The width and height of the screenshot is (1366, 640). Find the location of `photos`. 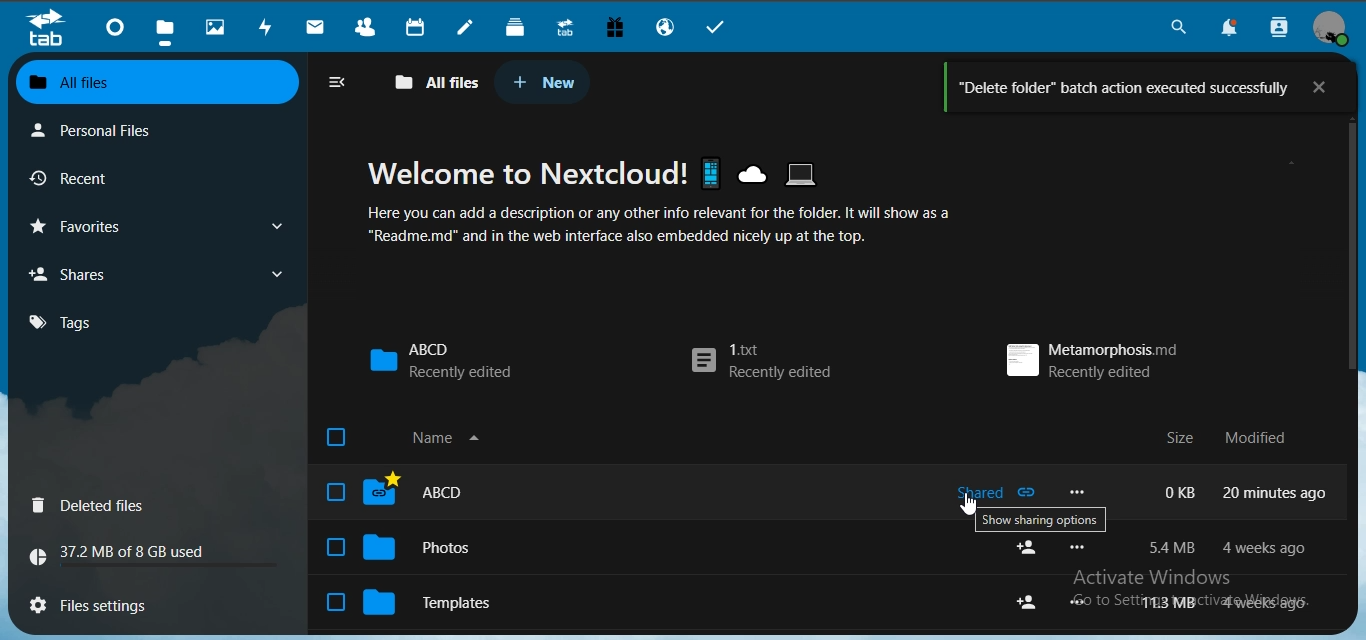

photos is located at coordinates (464, 599).